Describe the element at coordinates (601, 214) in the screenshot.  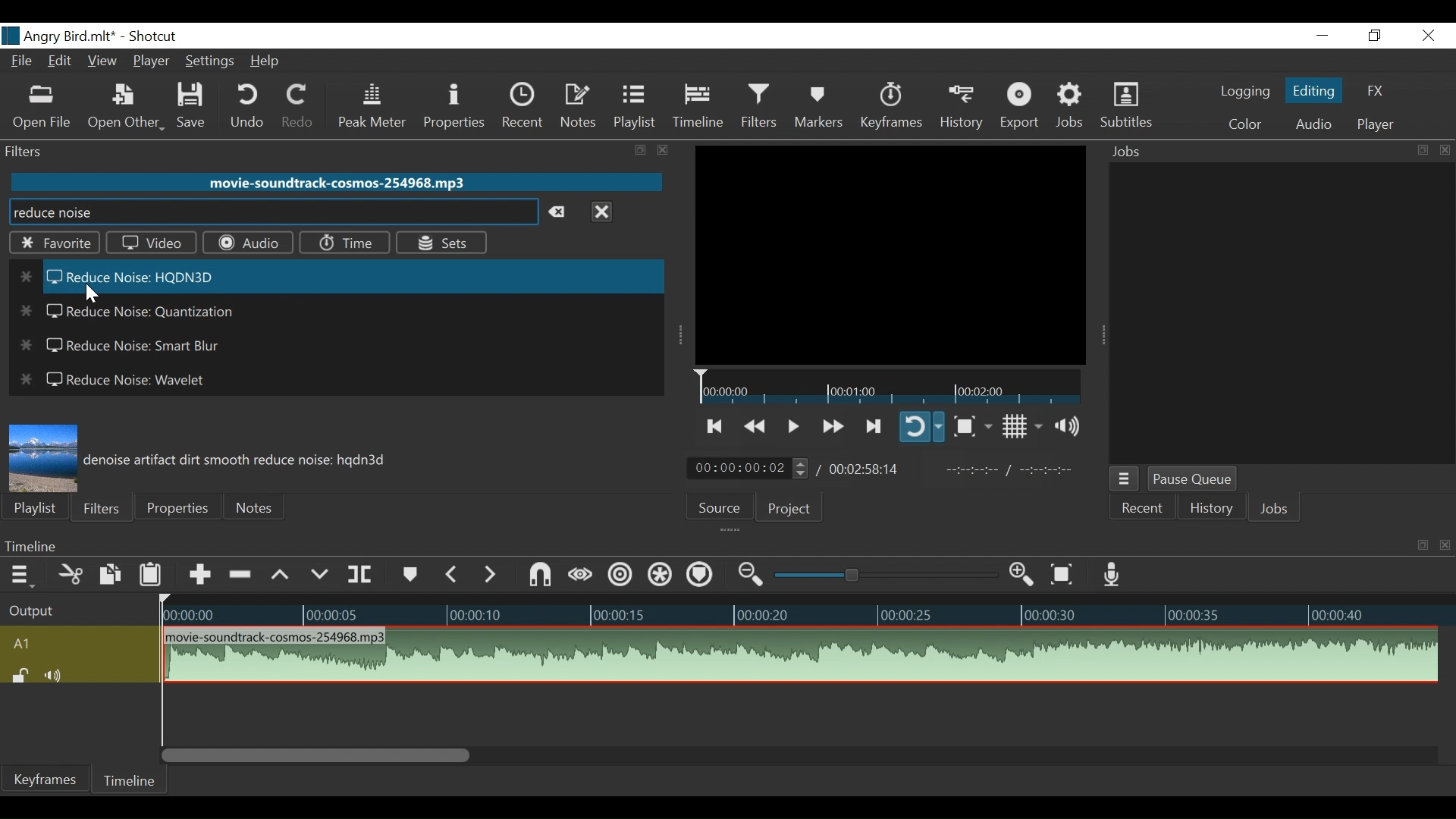
I see `Remove menu` at that location.